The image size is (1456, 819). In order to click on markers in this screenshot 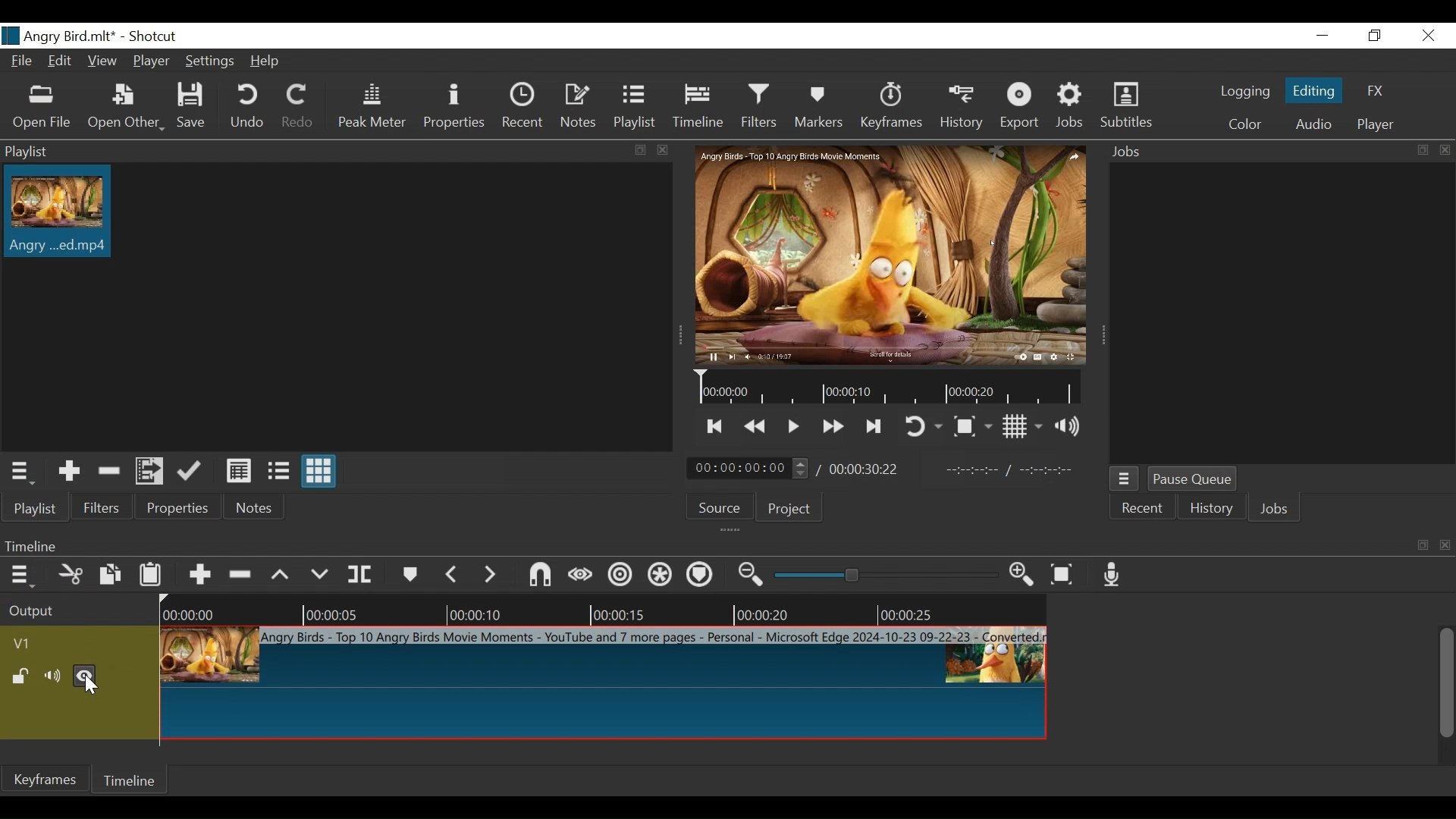, I will do `click(409, 574)`.